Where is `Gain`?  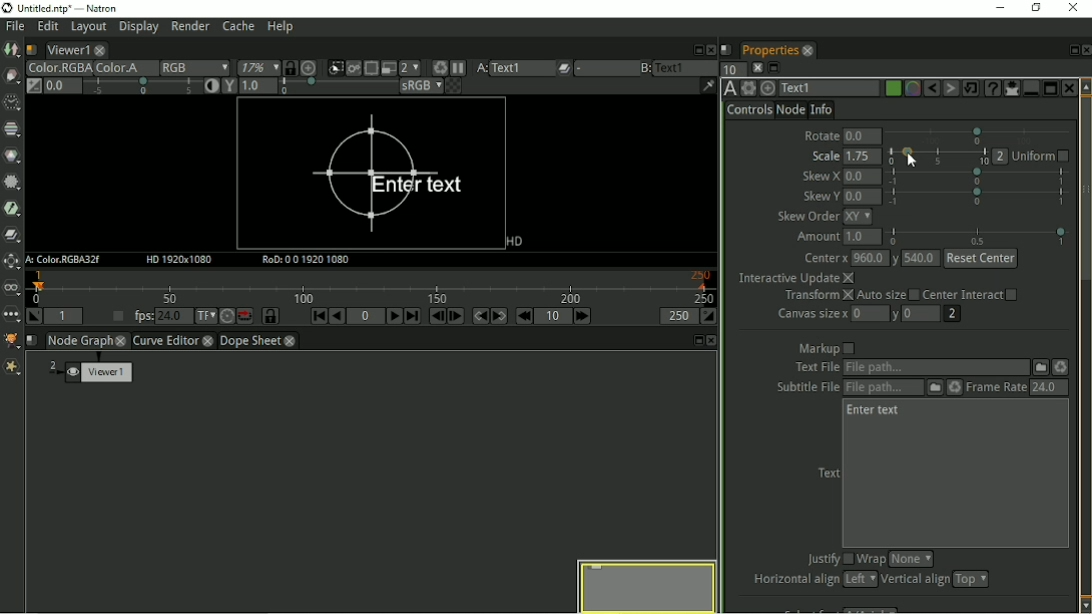 Gain is located at coordinates (58, 86).